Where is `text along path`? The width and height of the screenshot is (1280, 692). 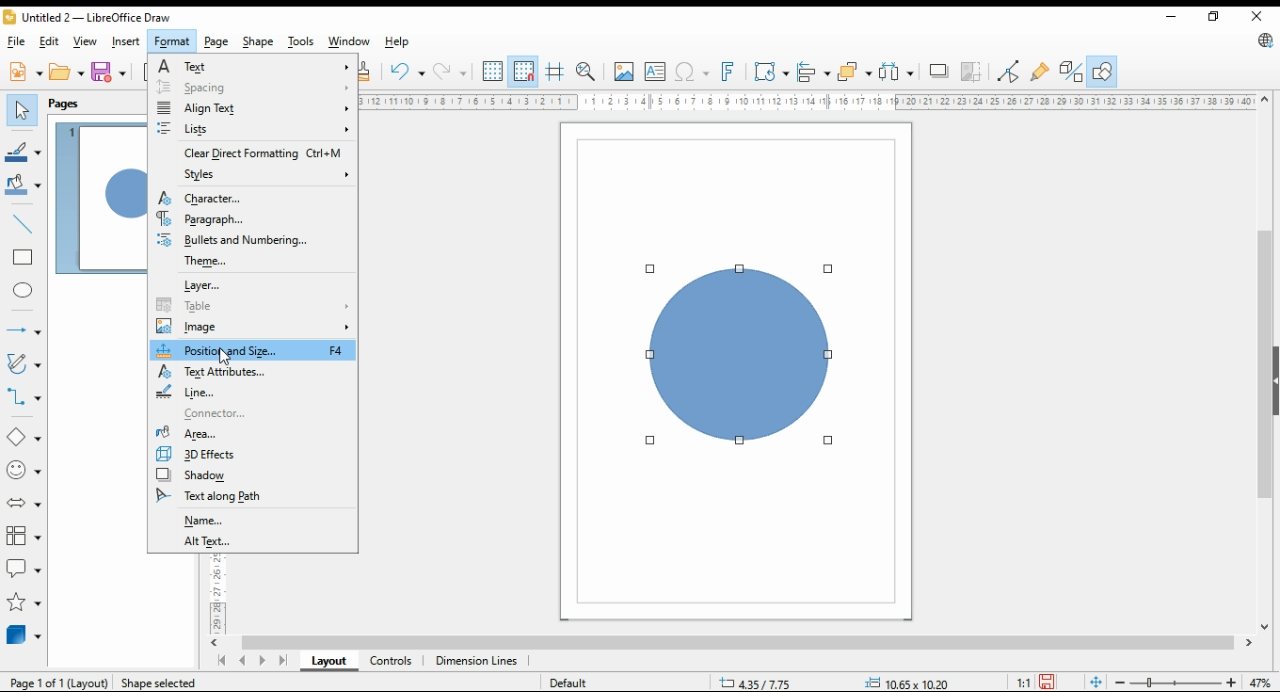
text along path is located at coordinates (240, 496).